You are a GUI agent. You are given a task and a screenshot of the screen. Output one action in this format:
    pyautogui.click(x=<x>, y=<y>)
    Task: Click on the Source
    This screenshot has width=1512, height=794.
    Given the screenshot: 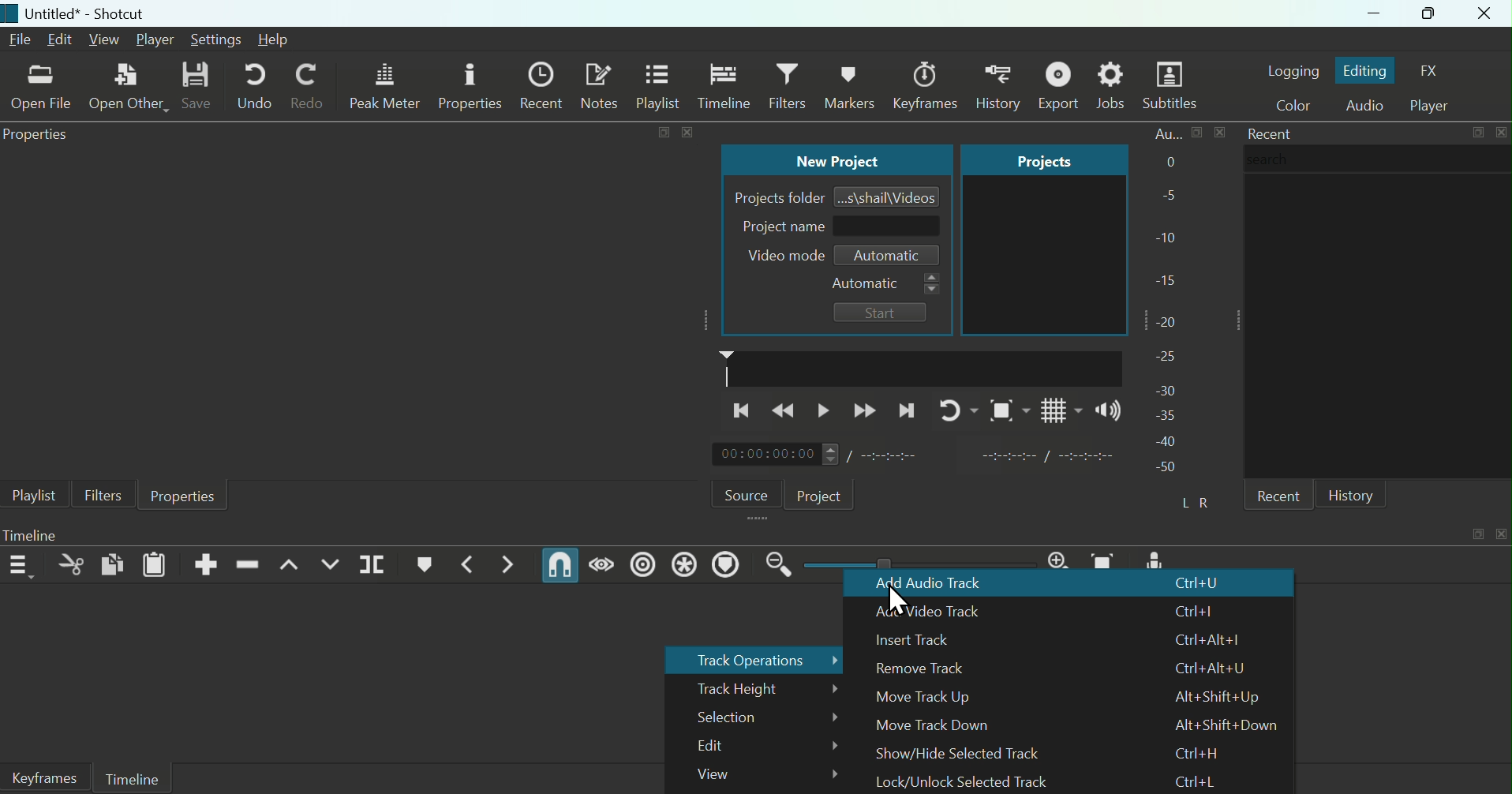 What is the action you would take?
    pyautogui.click(x=743, y=492)
    